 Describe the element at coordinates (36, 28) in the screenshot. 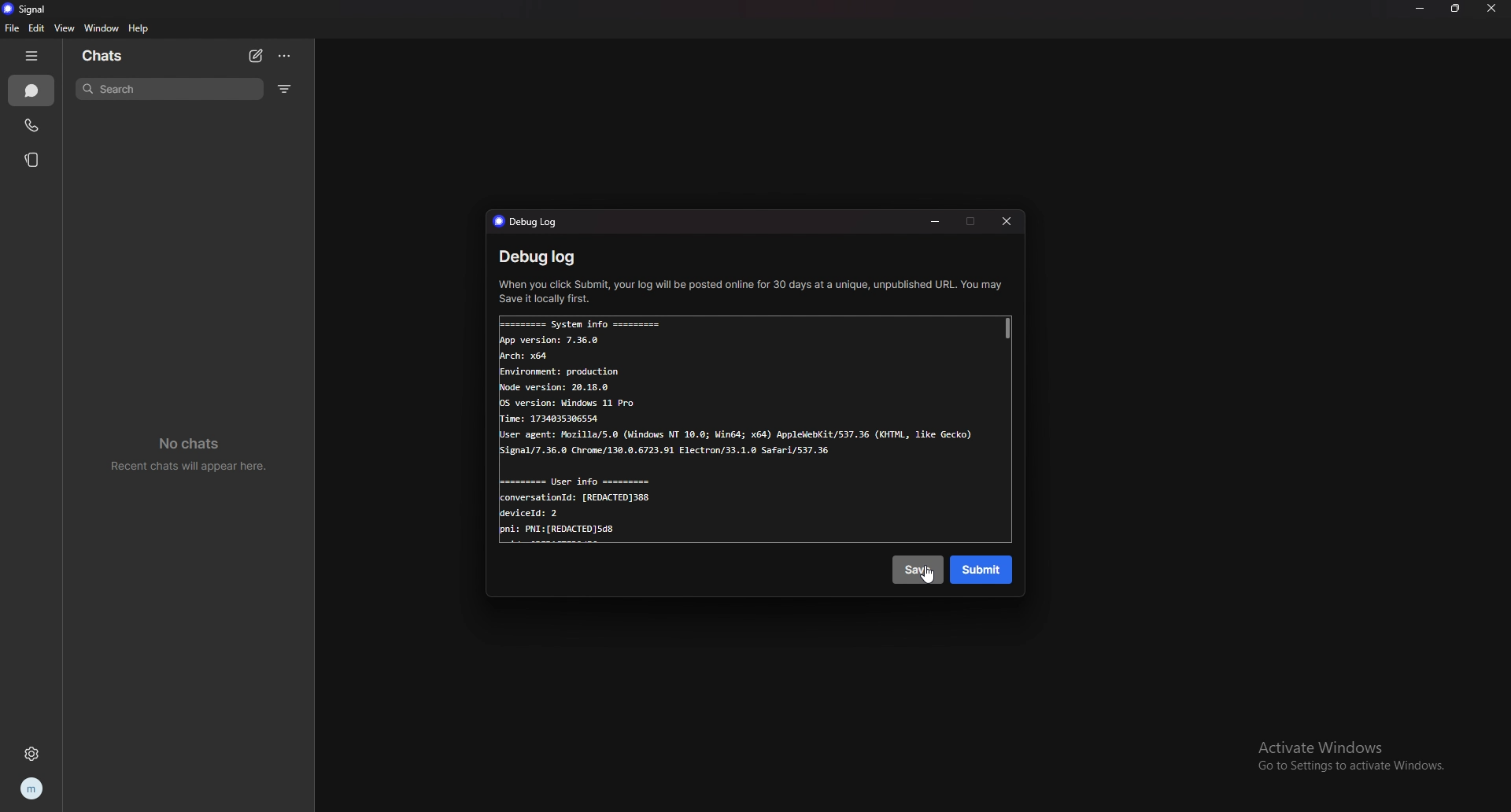

I see `edit` at that location.